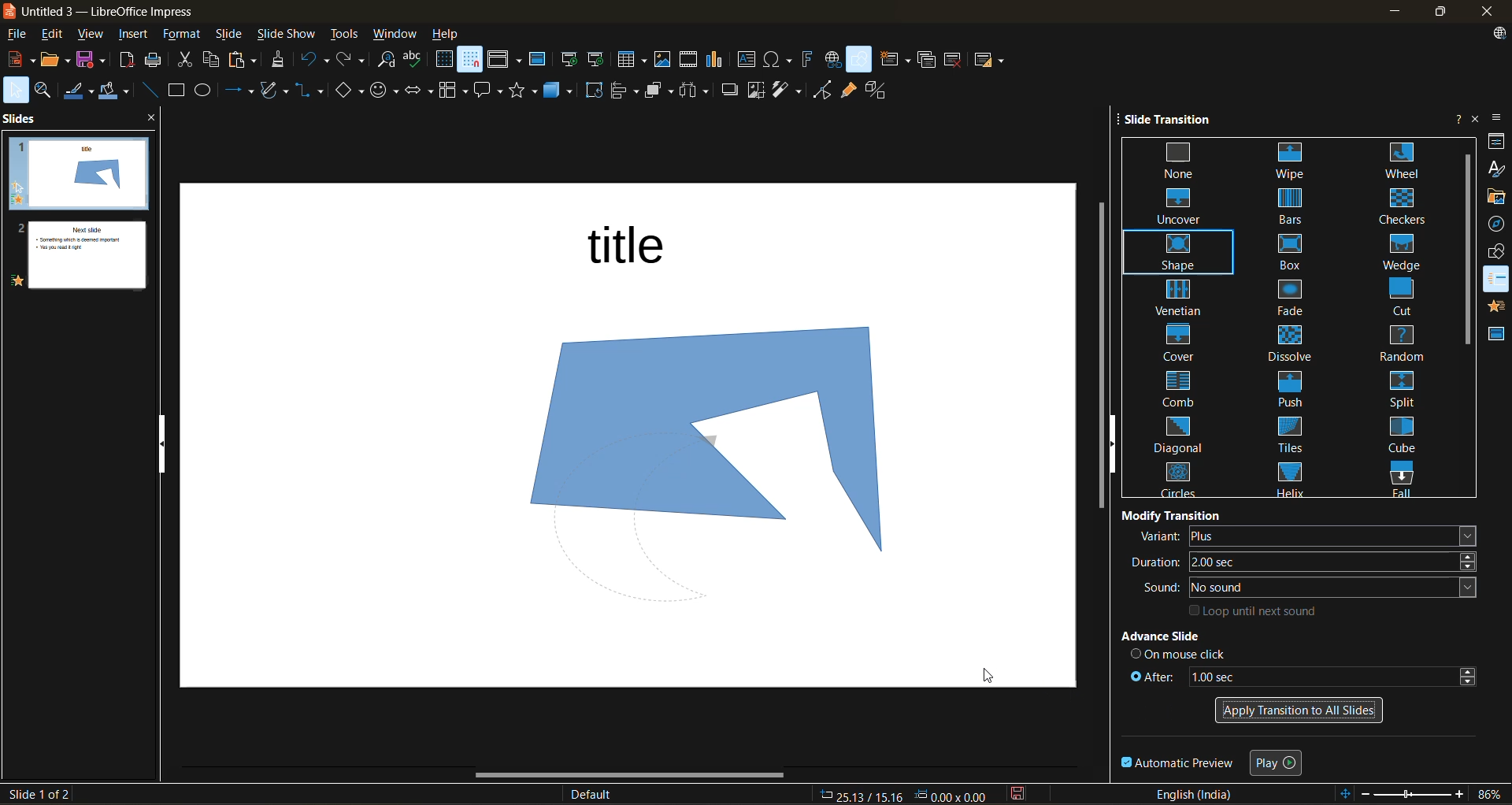 This screenshot has height=805, width=1512. I want to click on co ordinates, so click(903, 796).